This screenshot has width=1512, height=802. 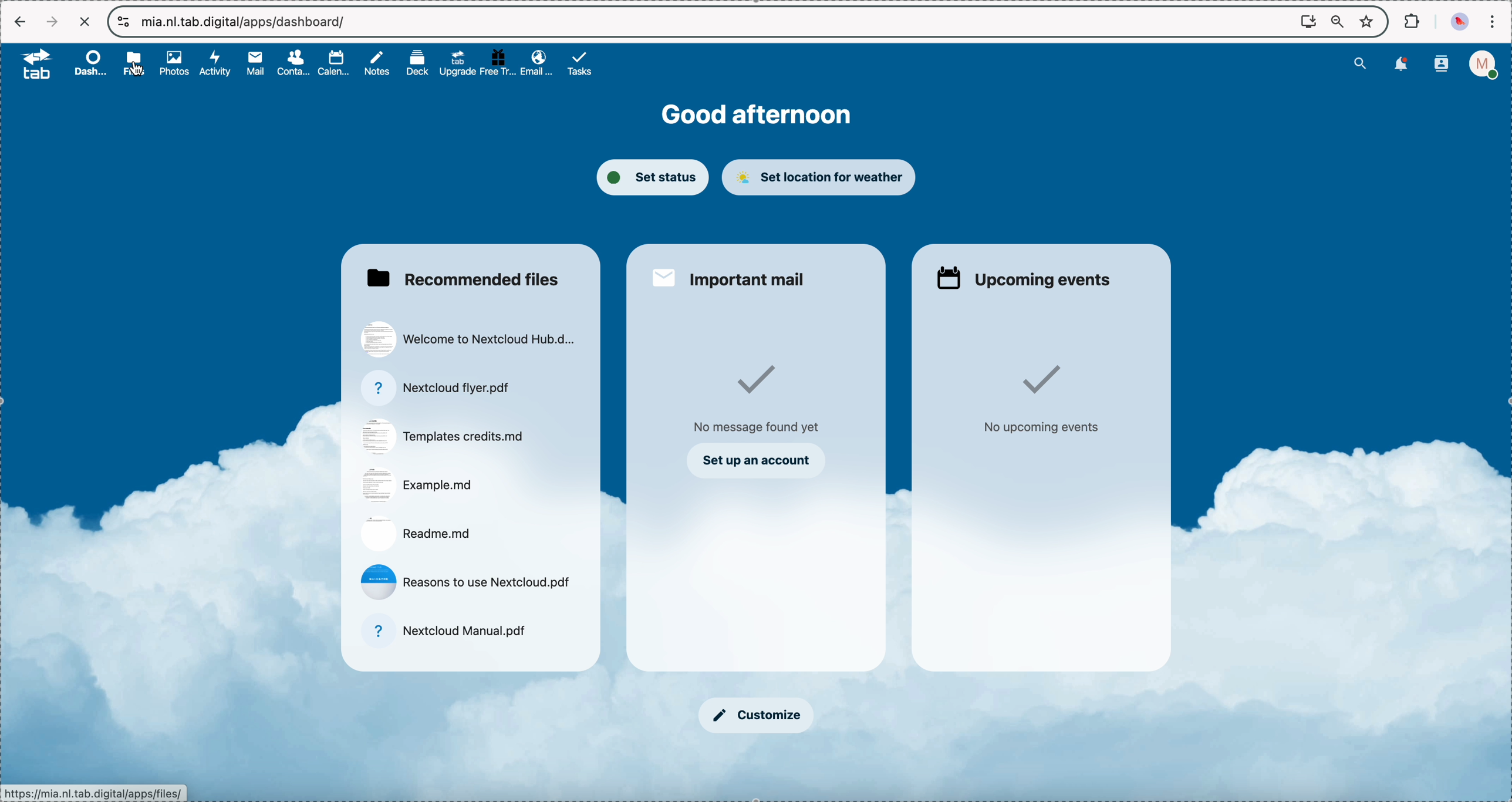 What do you see at coordinates (460, 277) in the screenshot?
I see `recommended files` at bounding box center [460, 277].